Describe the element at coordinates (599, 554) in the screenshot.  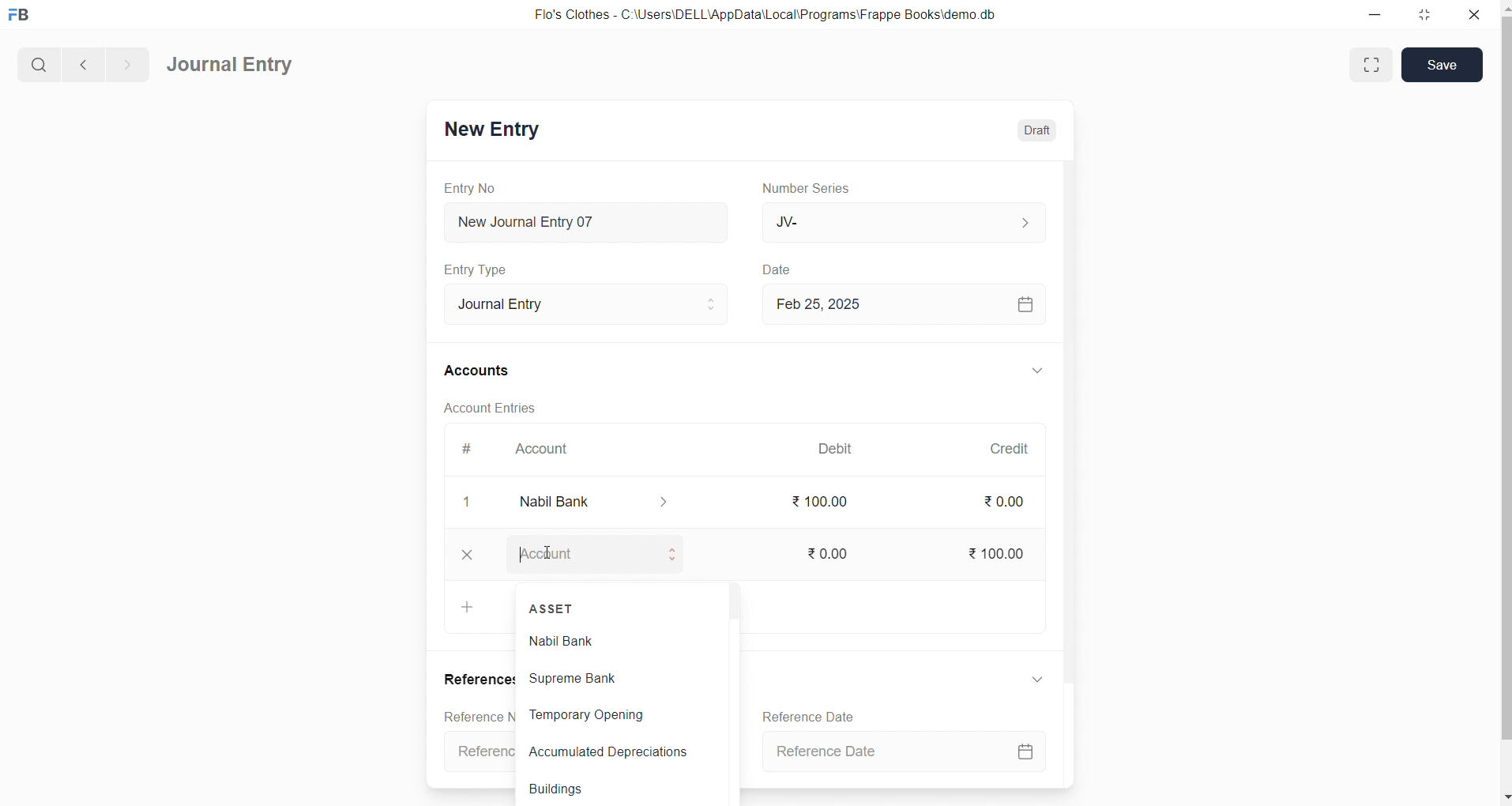
I see `Account` at that location.